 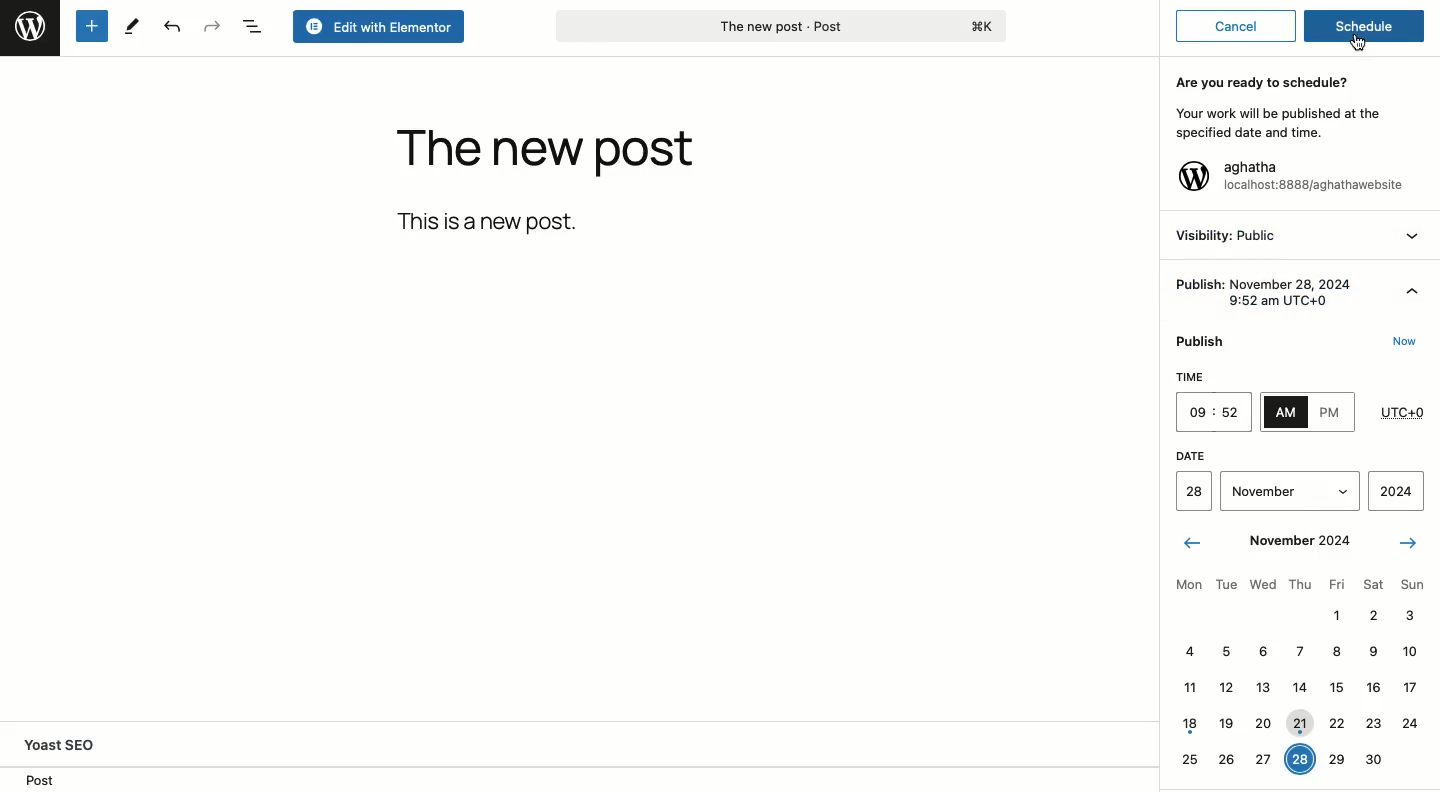 What do you see at coordinates (1403, 408) in the screenshot?
I see `UTC+0` at bounding box center [1403, 408].